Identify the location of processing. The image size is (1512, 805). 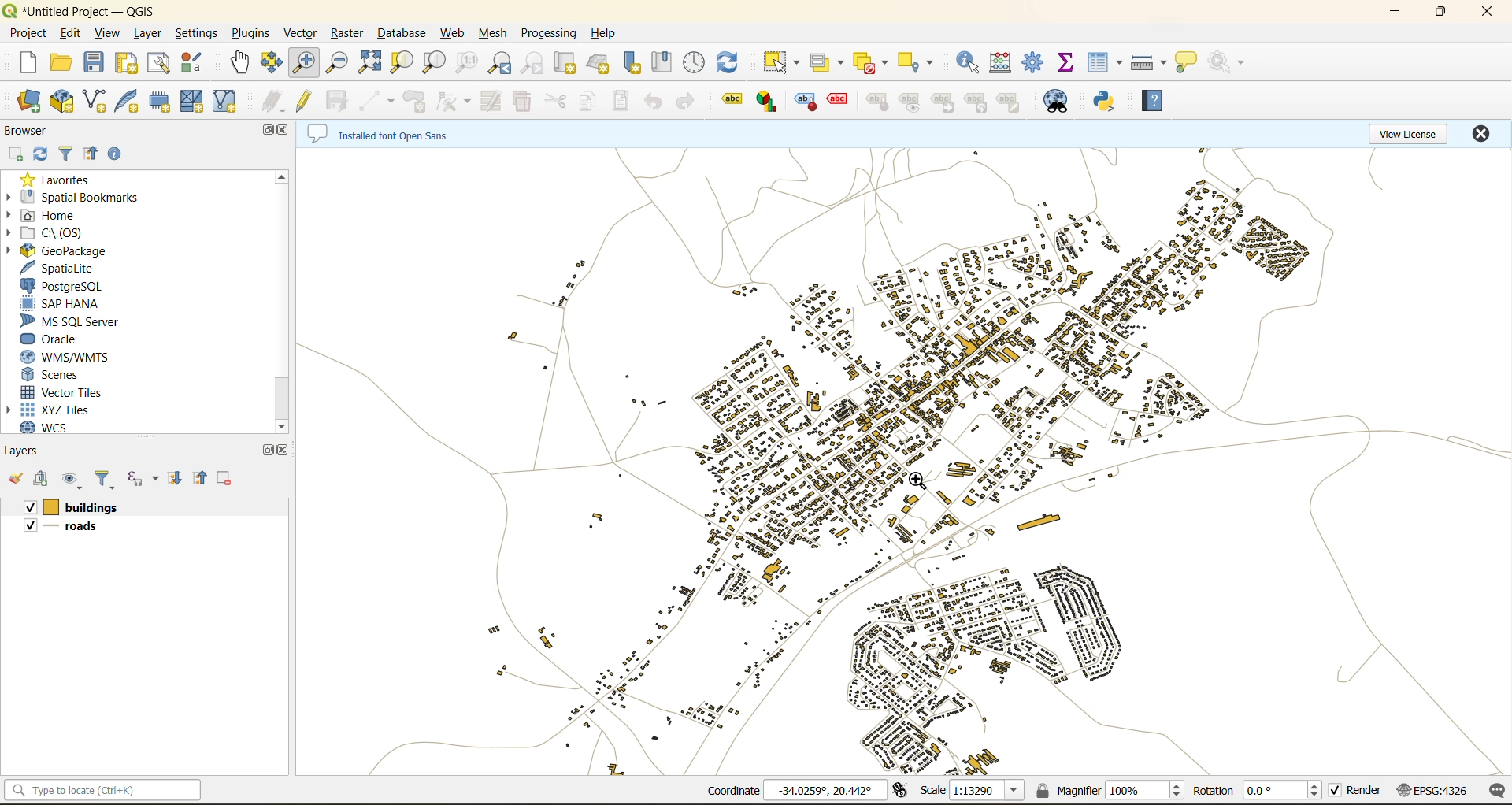
(551, 33).